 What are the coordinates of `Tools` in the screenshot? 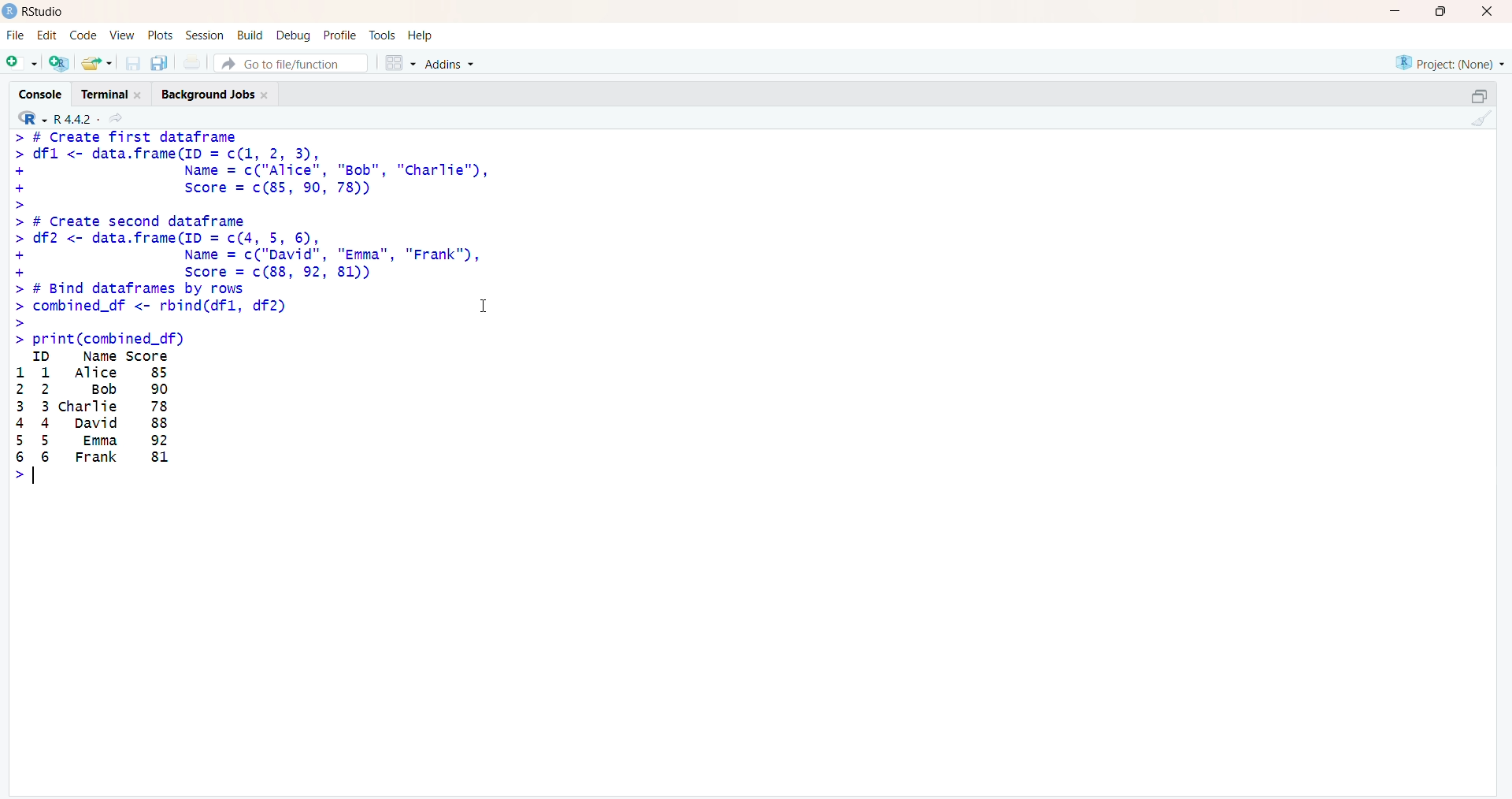 It's located at (382, 35).